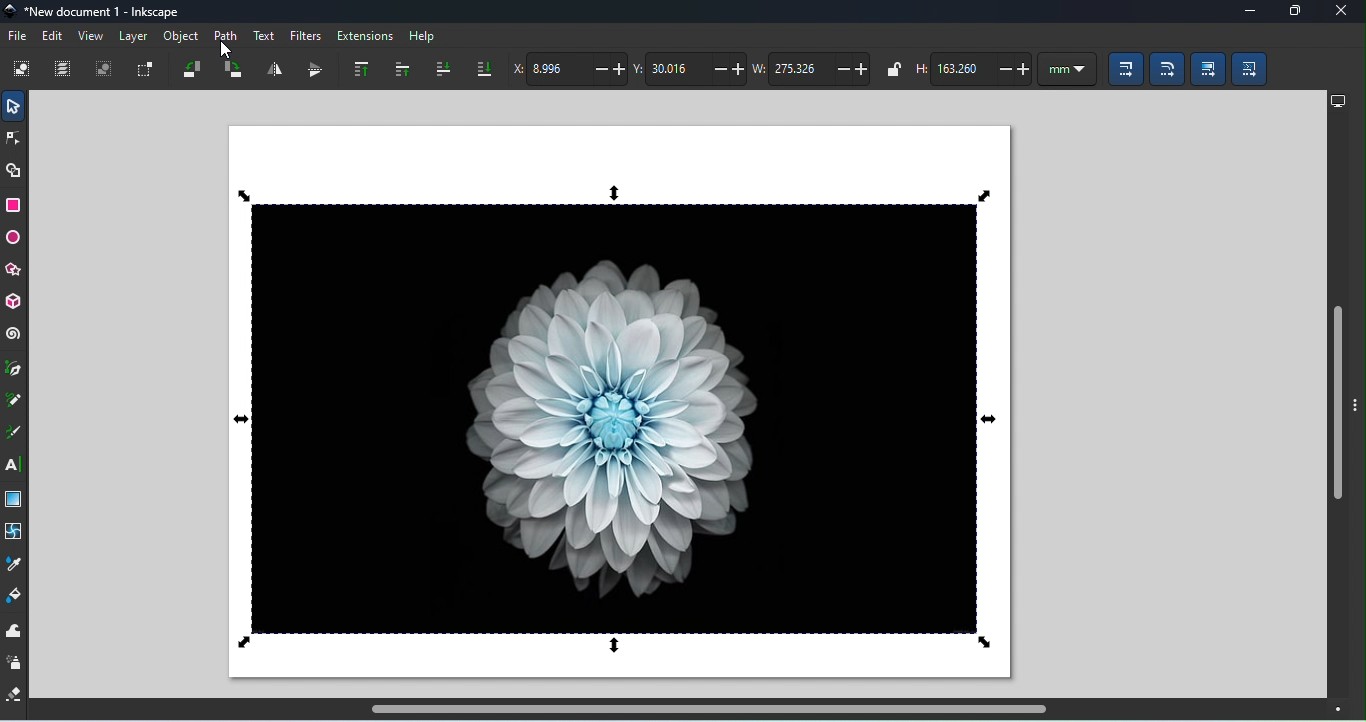 The width and height of the screenshot is (1366, 722). I want to click on File name, so click(94, 12).